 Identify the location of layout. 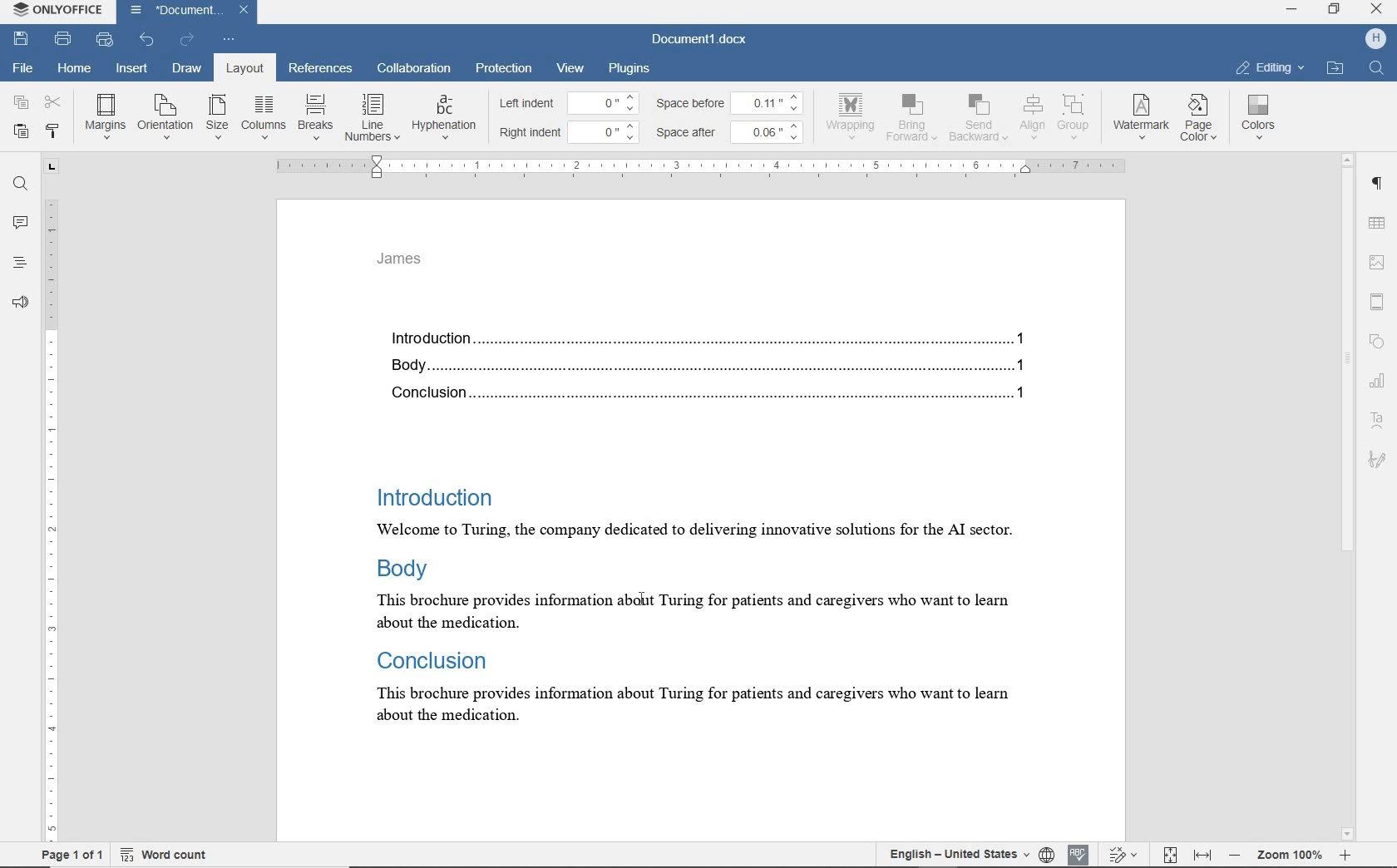
(241, 68).